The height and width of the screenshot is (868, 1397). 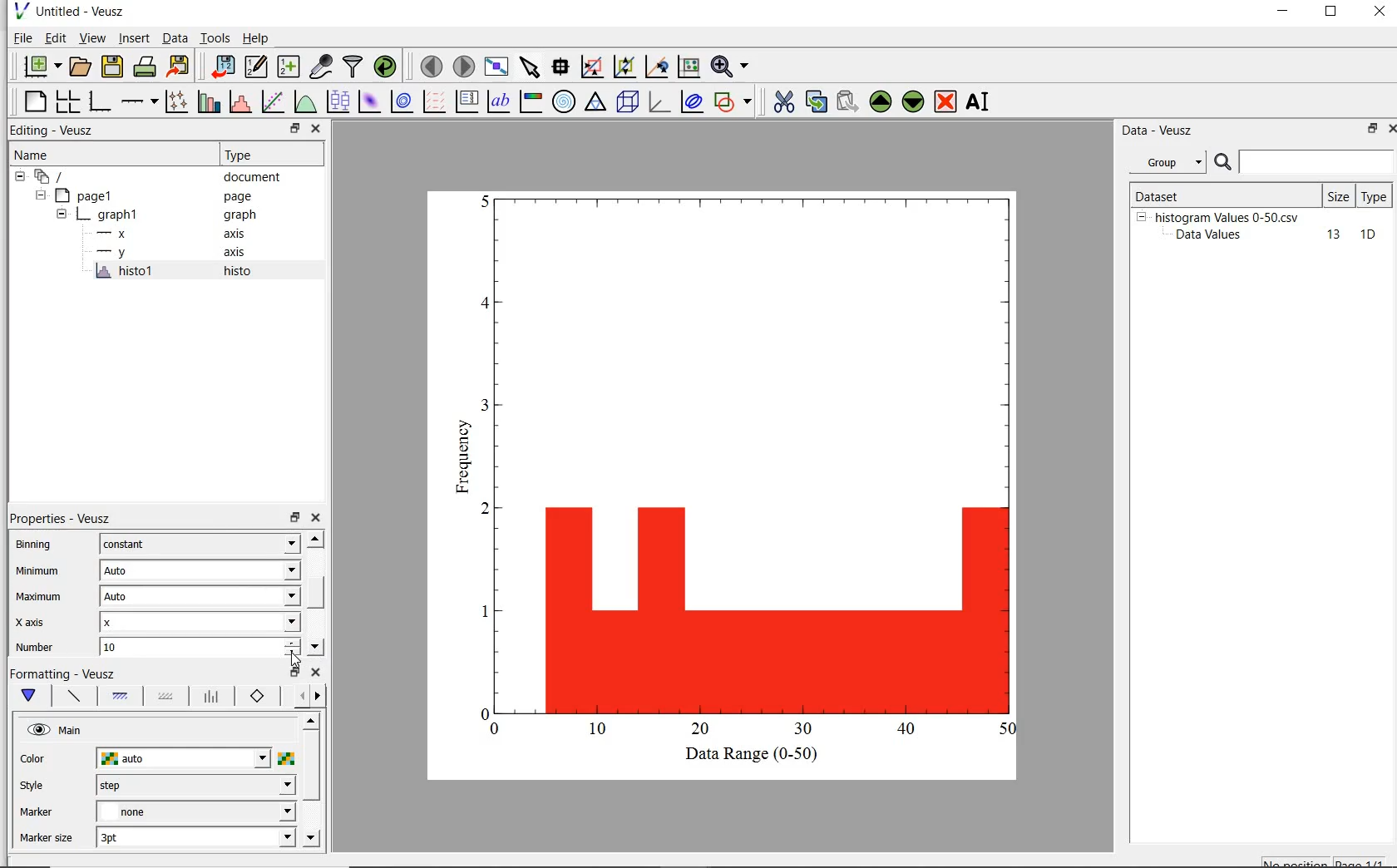 I want to click on move down the selected widget, so click(x=913, y=104).